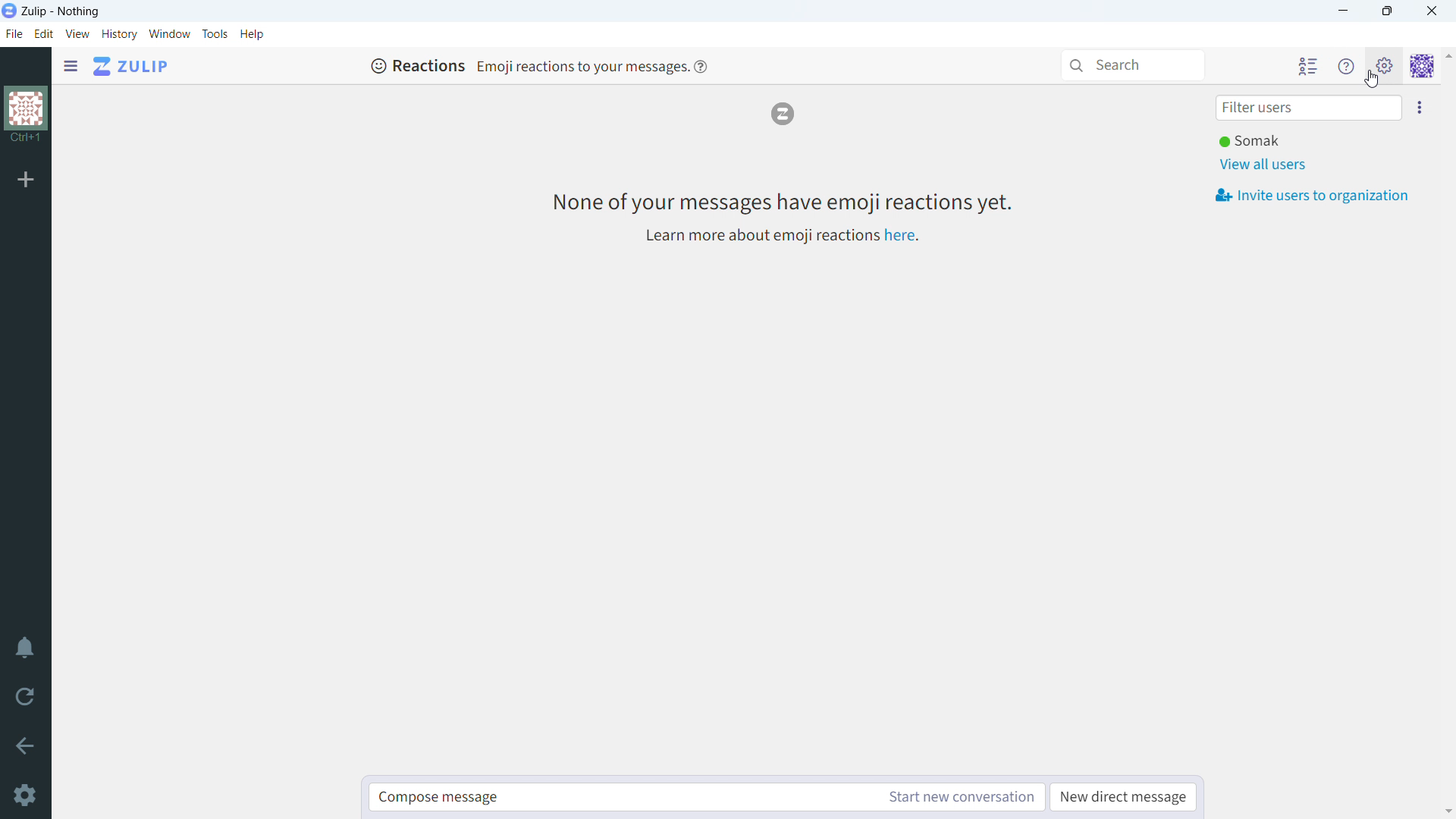 The width and height of the screenshot is (1456, 819). I want to click on view all users, so click(1265, 165).